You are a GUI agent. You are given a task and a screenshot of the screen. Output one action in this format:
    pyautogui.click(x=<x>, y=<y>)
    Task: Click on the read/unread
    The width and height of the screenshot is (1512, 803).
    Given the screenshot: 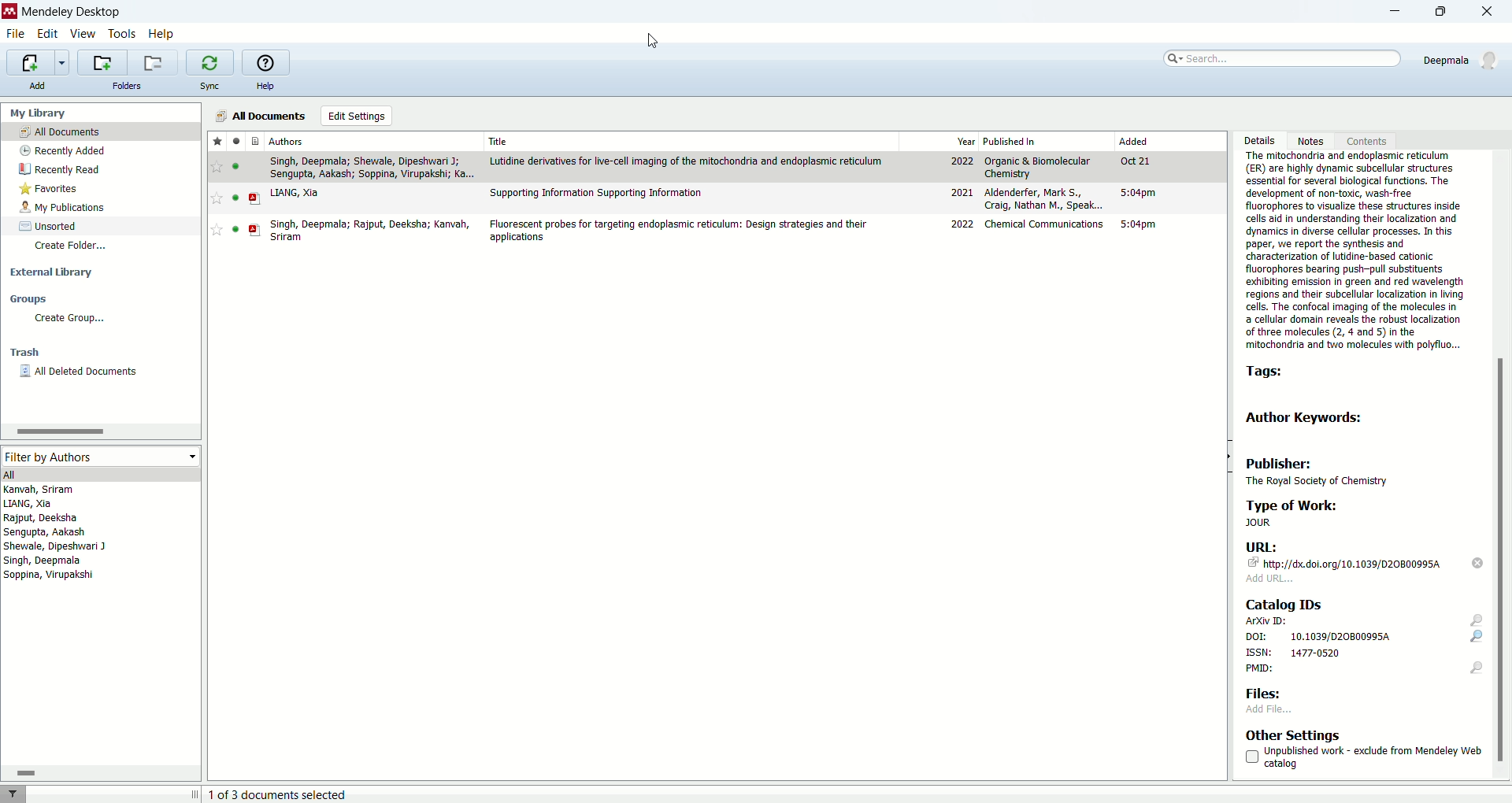 What is the action you would take?
    pyautogui.click(x=235, y=140)
    